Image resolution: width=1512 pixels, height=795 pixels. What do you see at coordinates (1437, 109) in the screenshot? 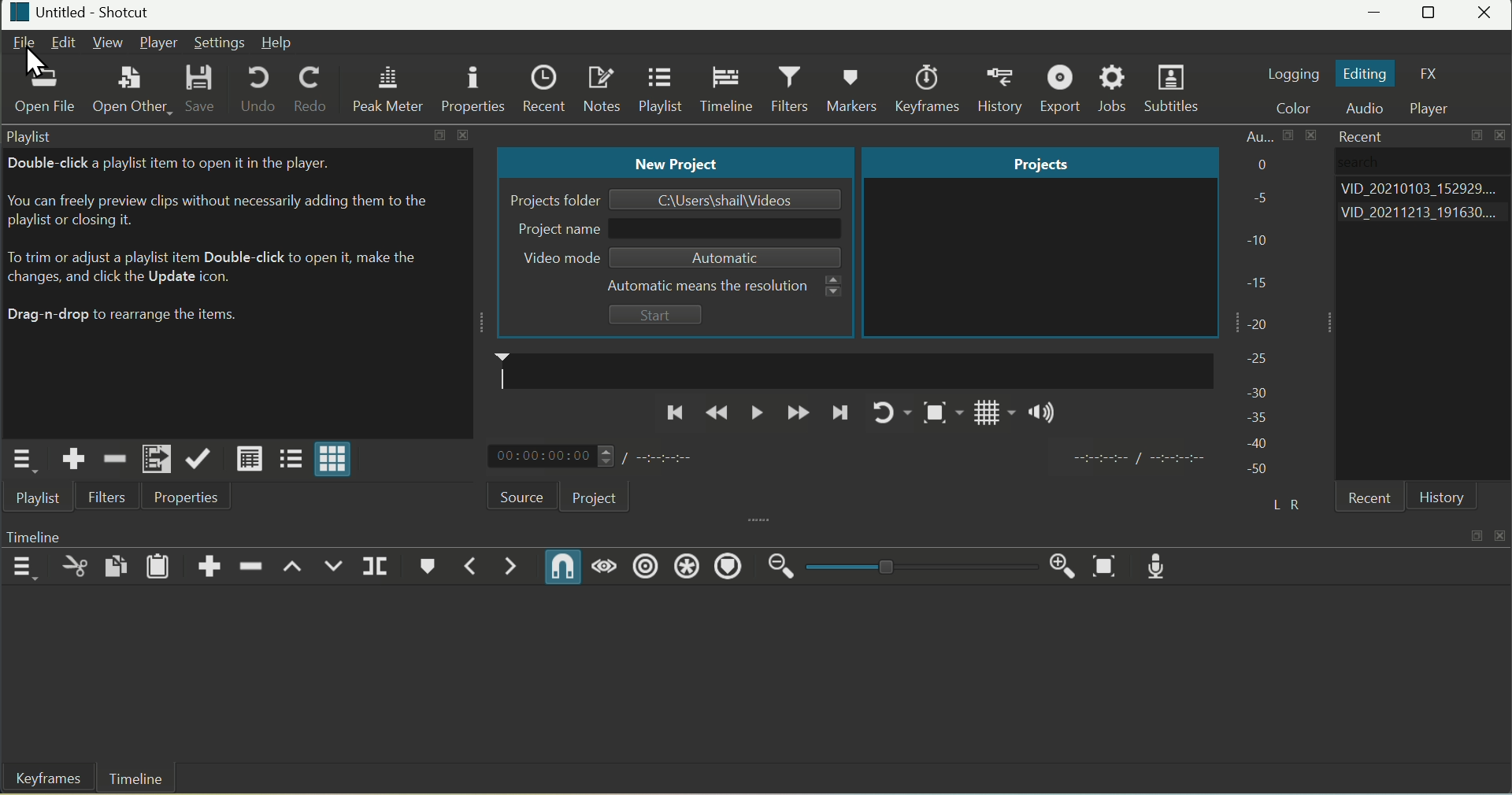
I see `Player` at bounding box center [1437, 109].